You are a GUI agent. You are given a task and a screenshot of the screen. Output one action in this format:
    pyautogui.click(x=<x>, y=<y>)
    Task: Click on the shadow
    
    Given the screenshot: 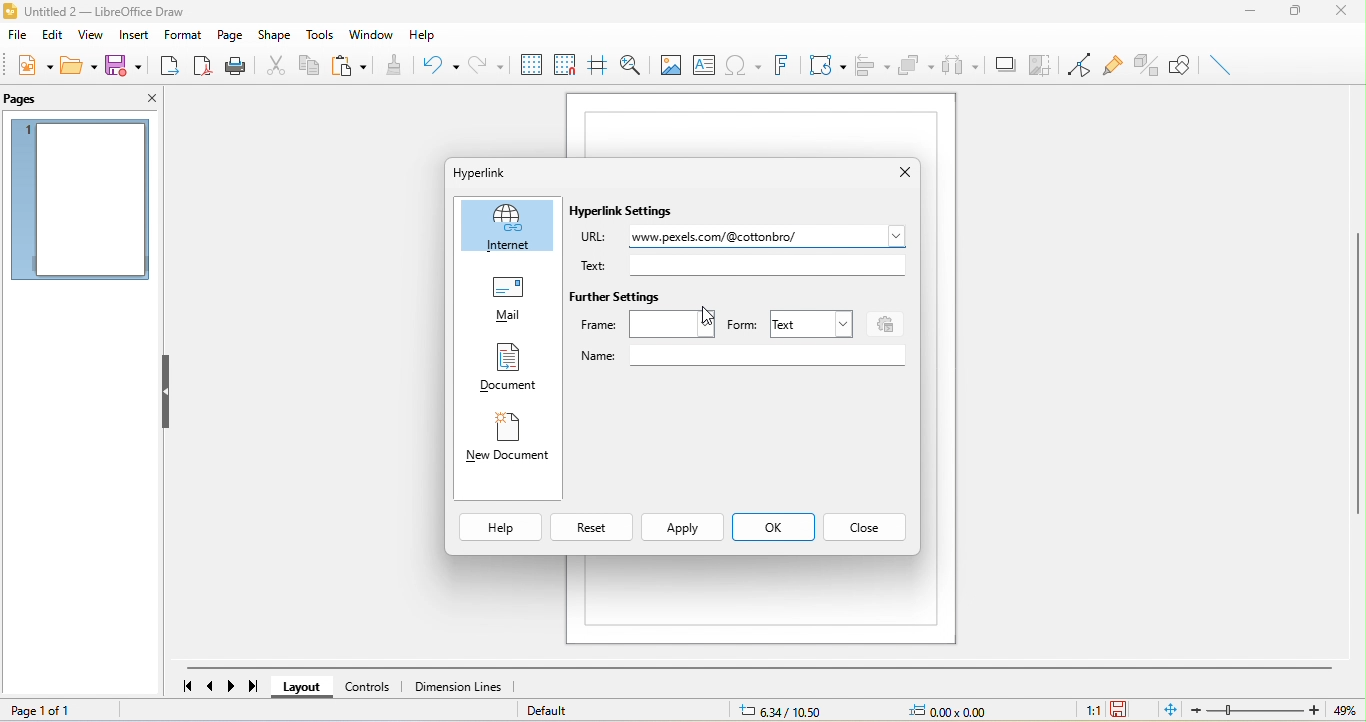 What is the action you would take?
    pyautogui.click(x=1003, y=63)
    